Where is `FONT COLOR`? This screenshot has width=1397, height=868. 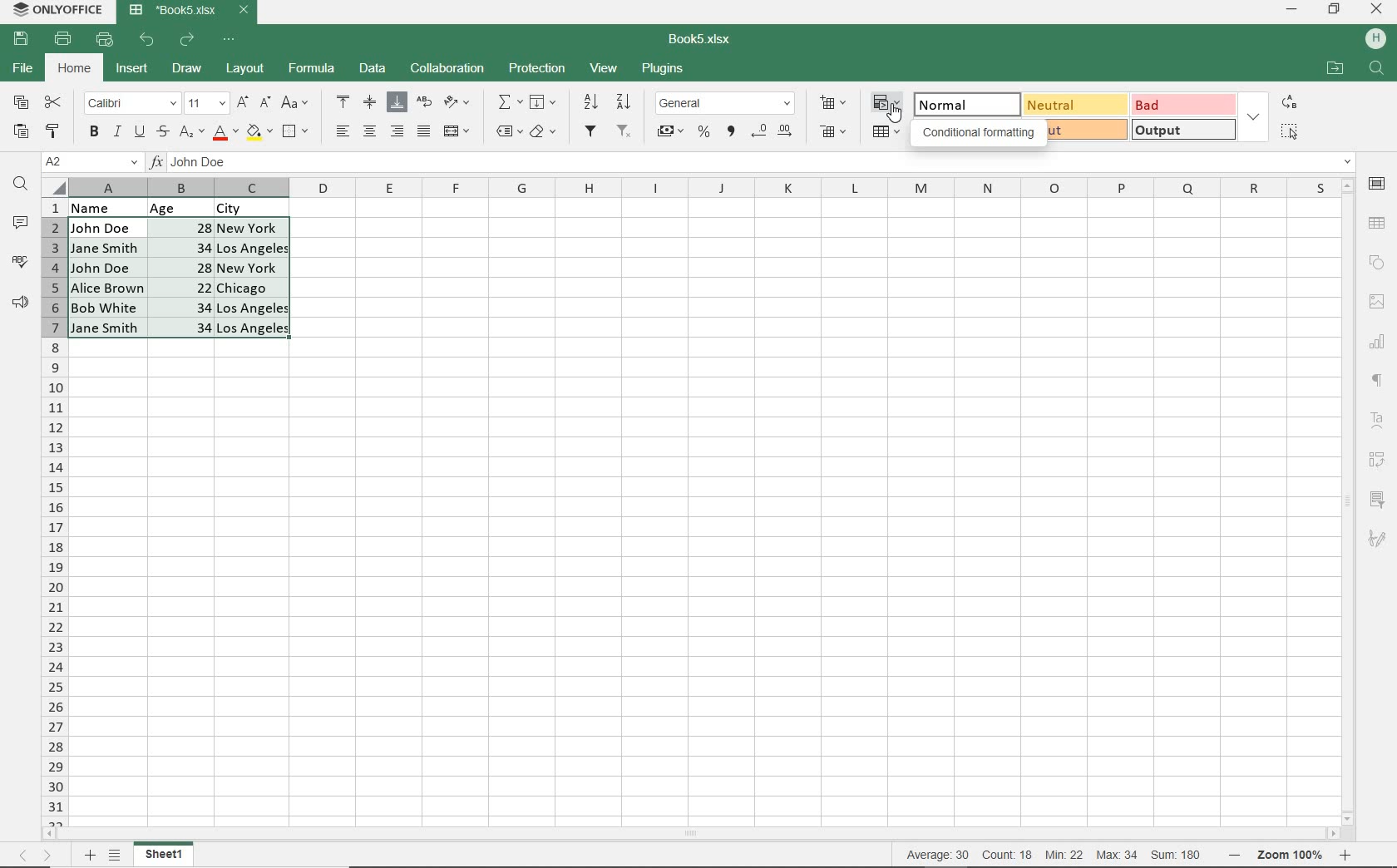 FONT COLOR is located at coordinates (225, 133).